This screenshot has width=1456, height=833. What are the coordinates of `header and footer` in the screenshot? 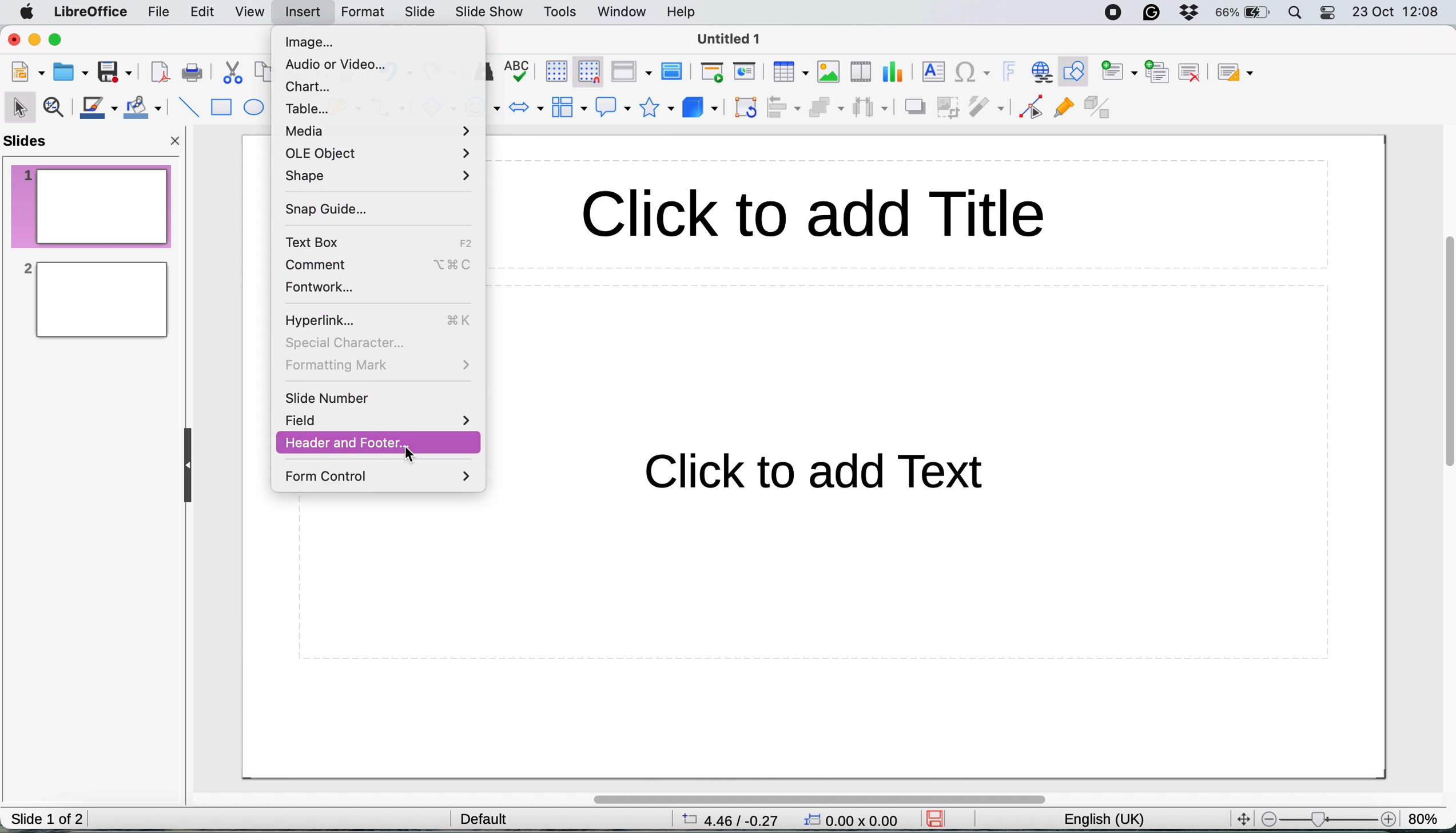 It's located at (352, 442).